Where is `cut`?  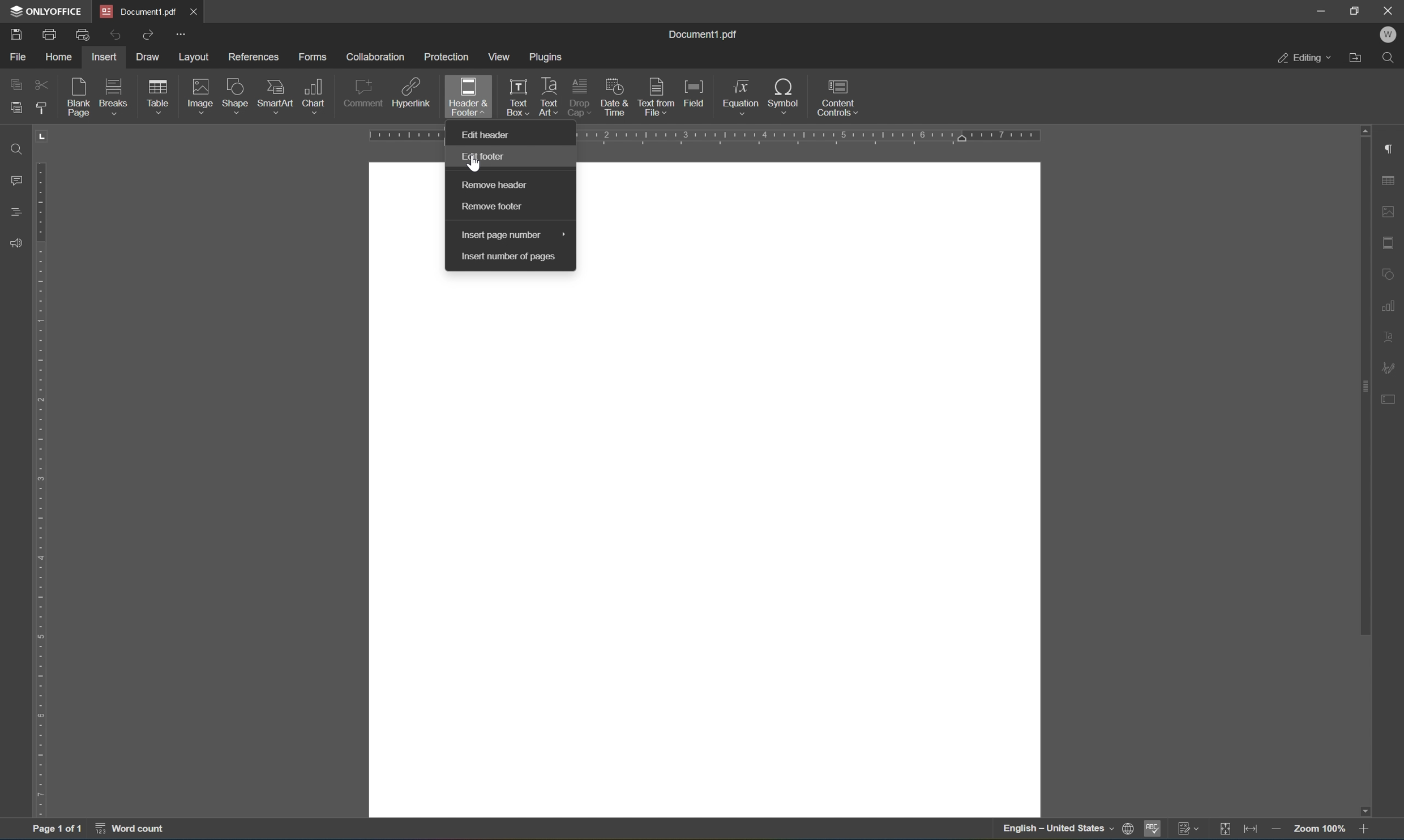
cut is located at coordinates (40, 83).